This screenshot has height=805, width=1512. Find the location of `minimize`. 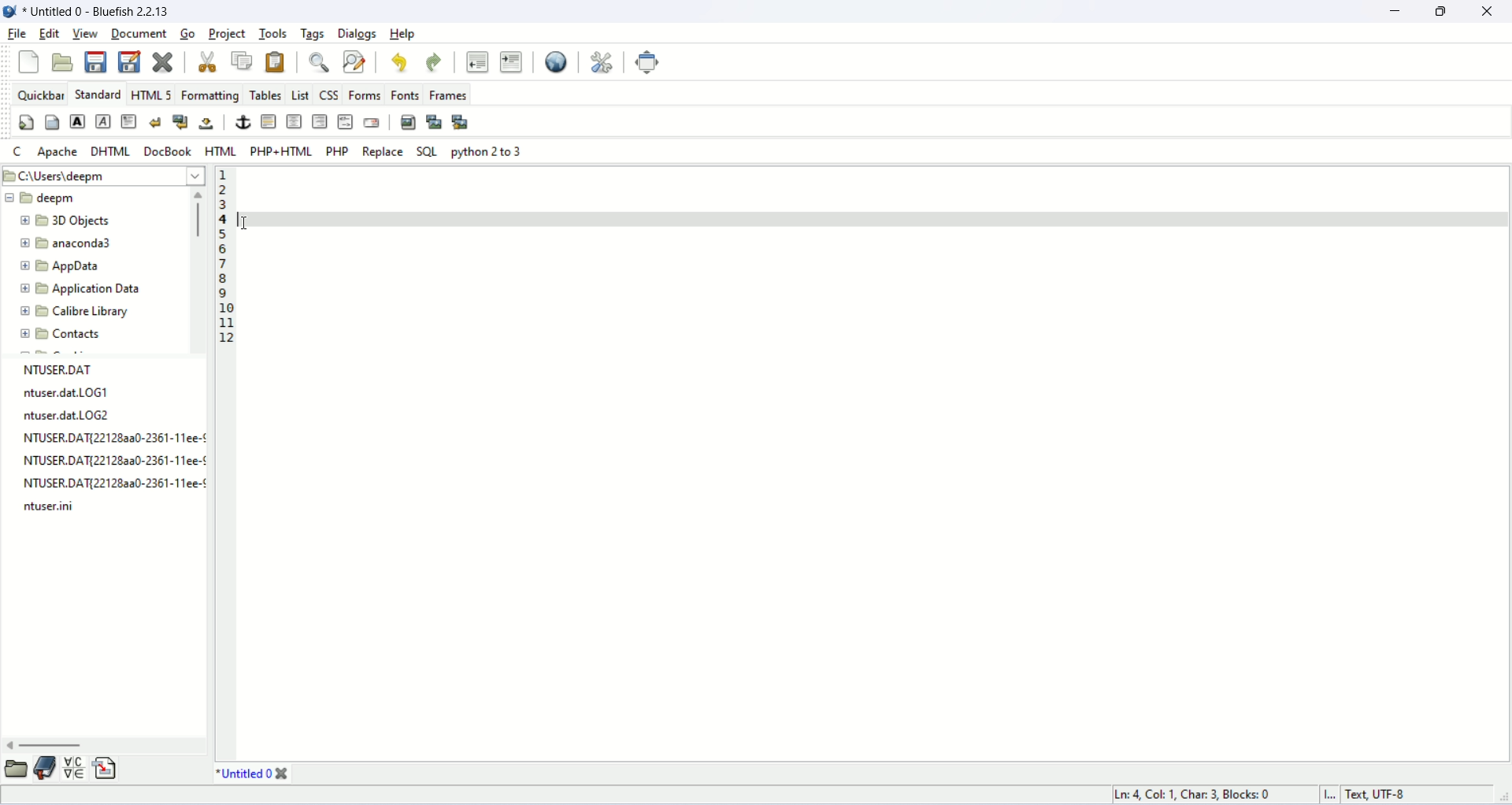

minimize is located at coordinates (1399, 11).